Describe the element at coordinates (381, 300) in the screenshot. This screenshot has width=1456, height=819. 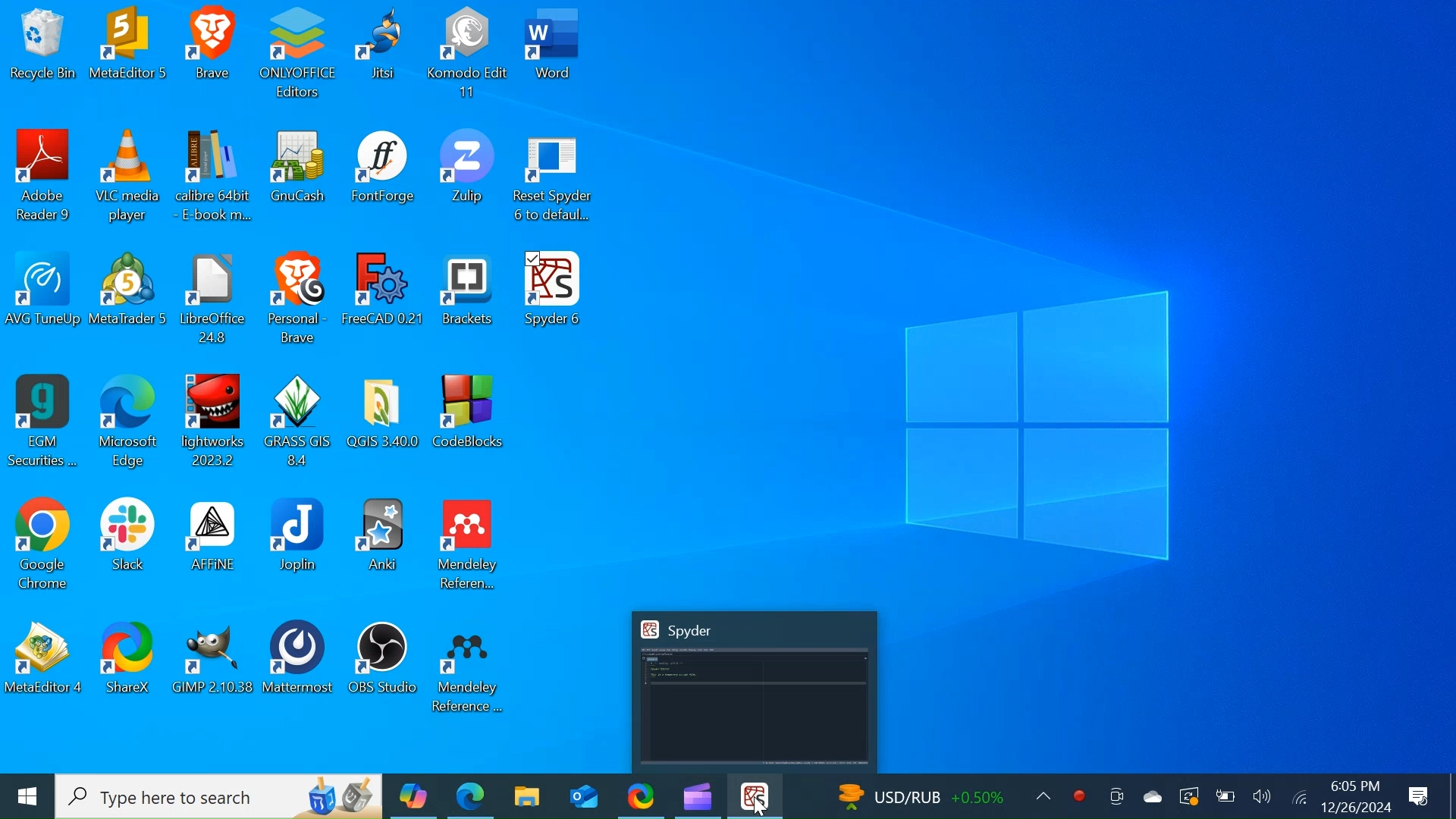
I see `FreeCAD` at that location.